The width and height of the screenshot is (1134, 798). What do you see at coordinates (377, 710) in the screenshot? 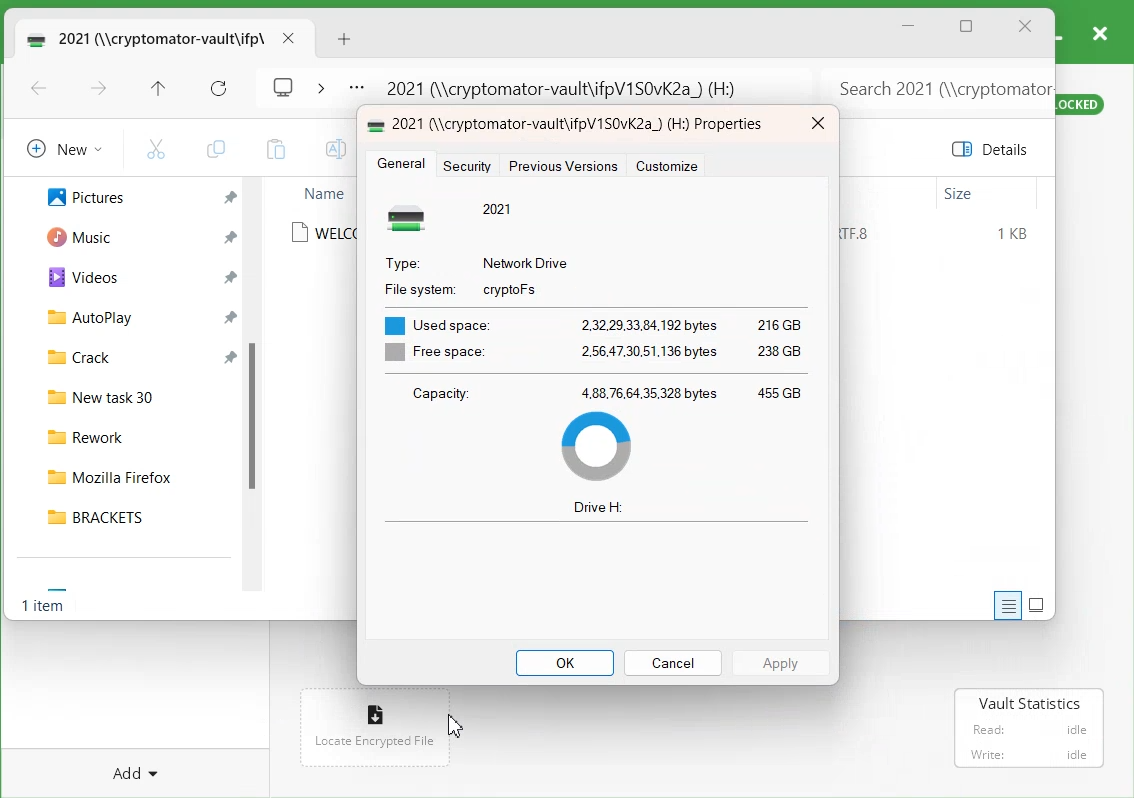
I see `icon` at bounding box center [377, 710].